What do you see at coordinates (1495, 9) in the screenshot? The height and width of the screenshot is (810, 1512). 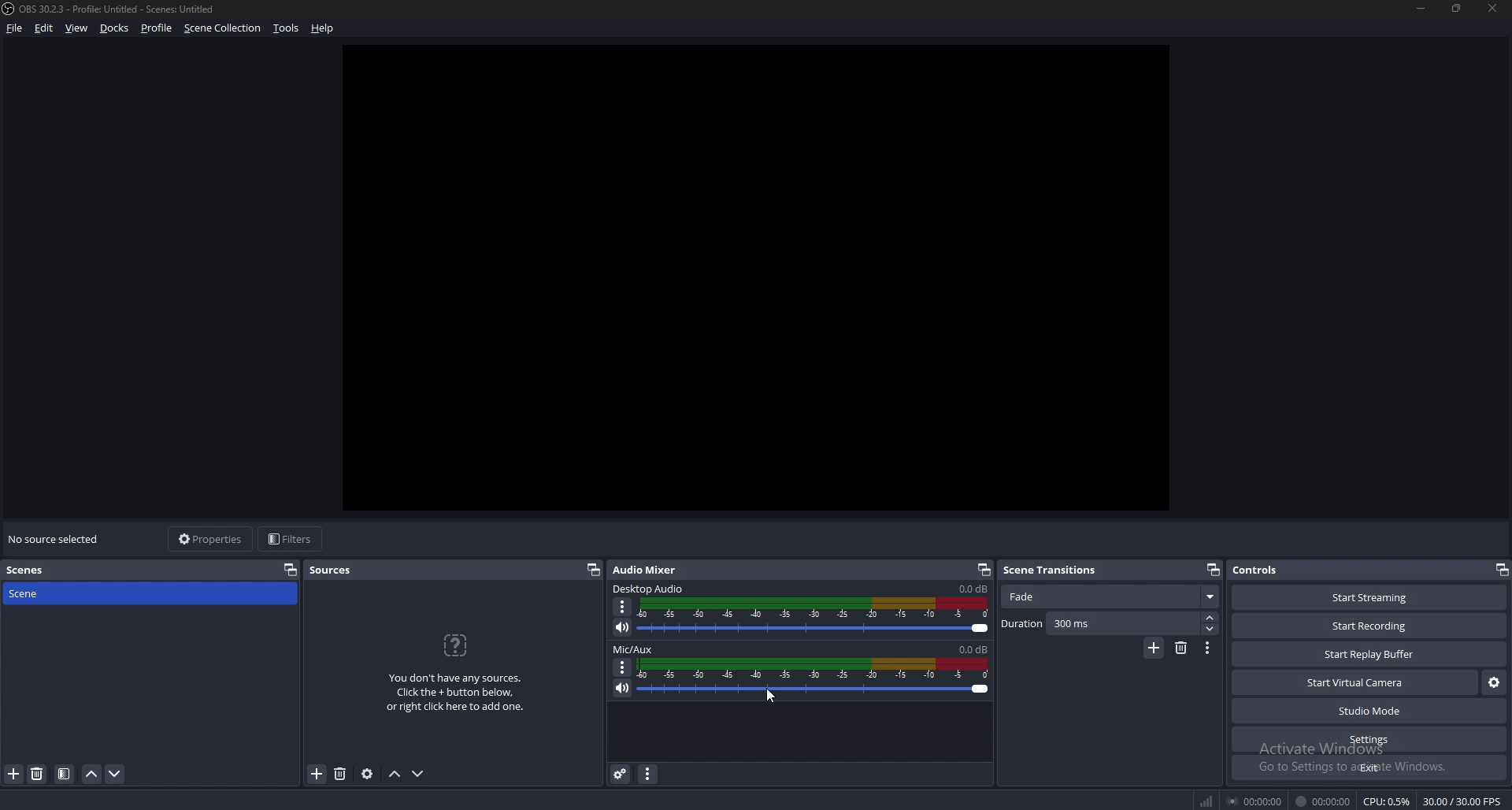 I see `close` at bounding box center [1495, 9].